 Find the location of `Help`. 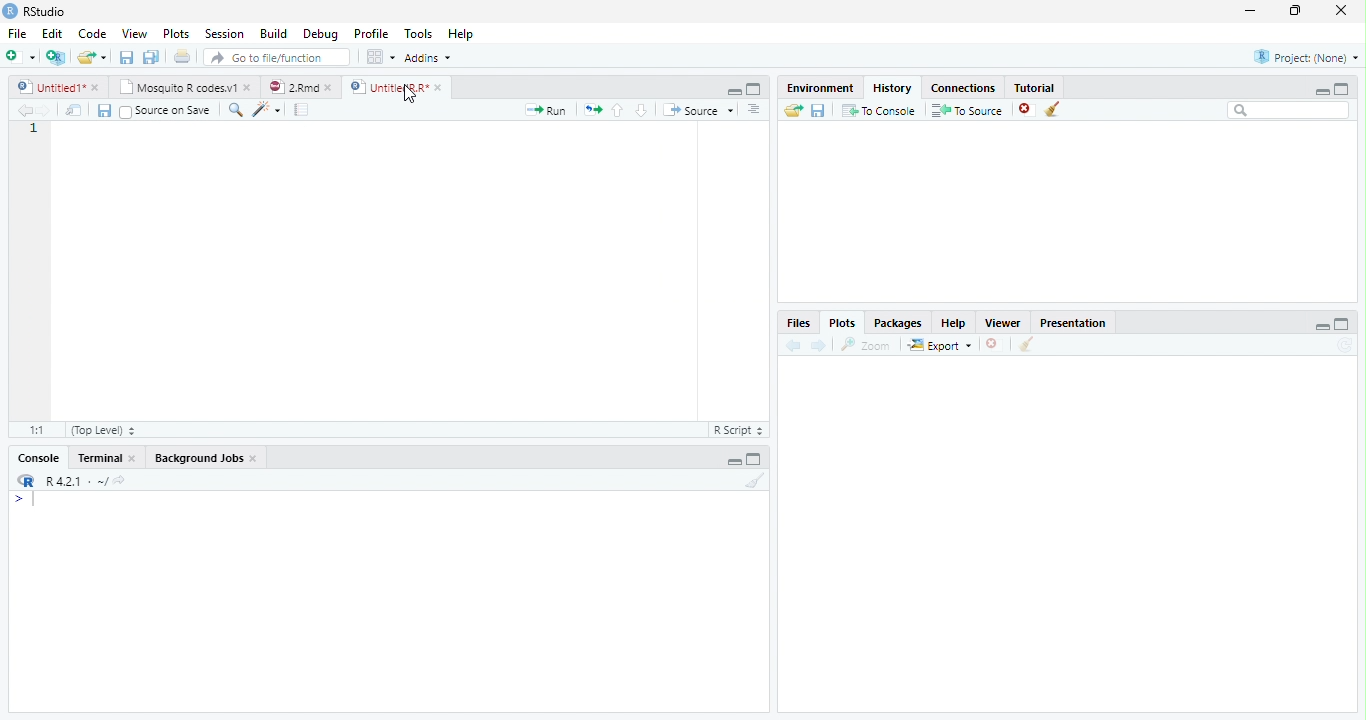

Help is located at coordinates (954, 322).